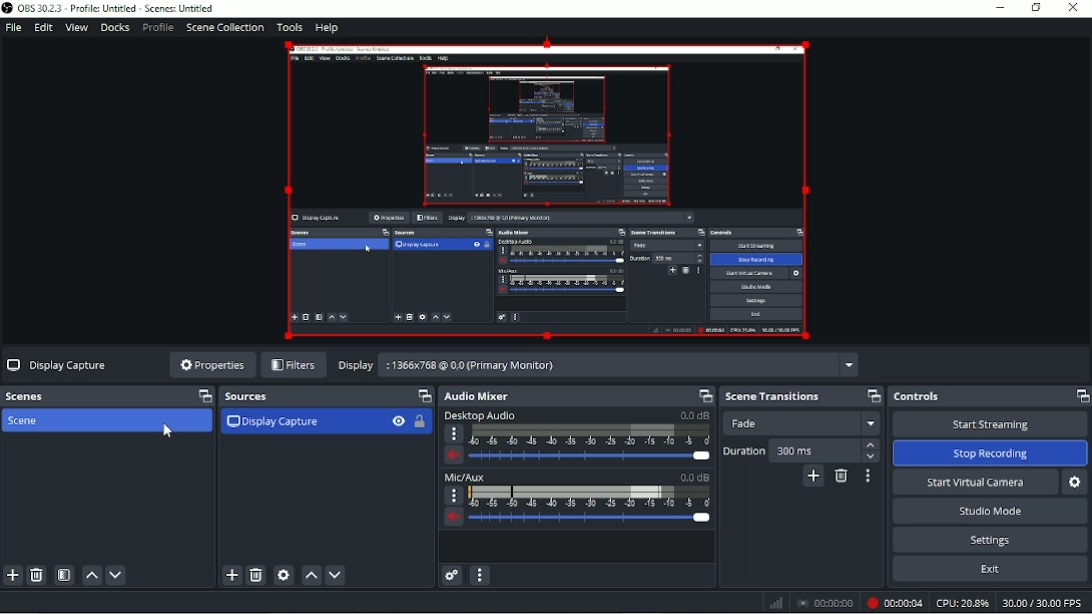  I want to click on Minimize, so click(1000, 7).